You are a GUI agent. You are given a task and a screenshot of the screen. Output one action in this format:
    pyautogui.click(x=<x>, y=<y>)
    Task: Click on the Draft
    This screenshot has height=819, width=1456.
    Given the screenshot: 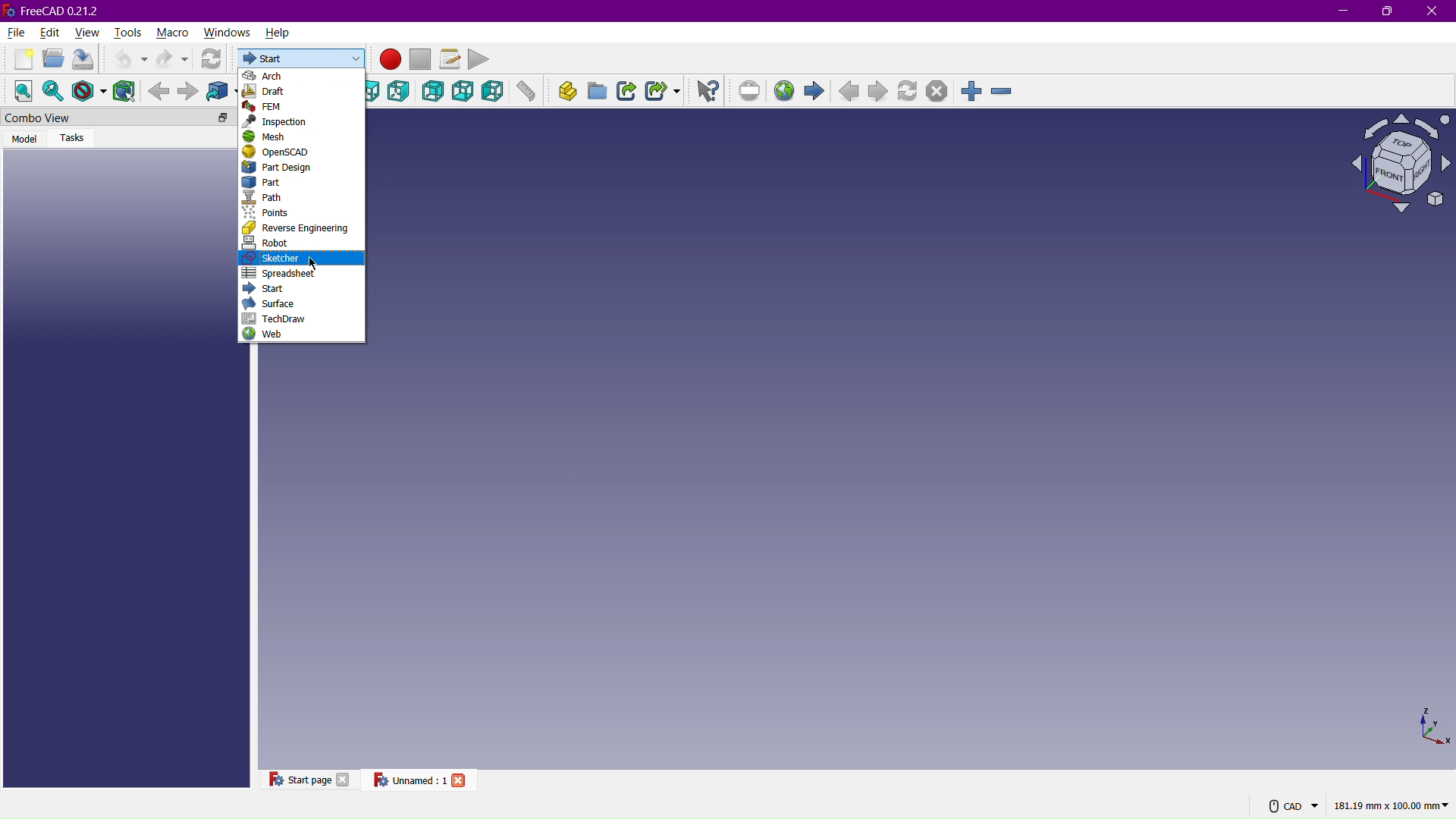 What is the action you would take?
    pyautogui.click(x=271, y=92)
    